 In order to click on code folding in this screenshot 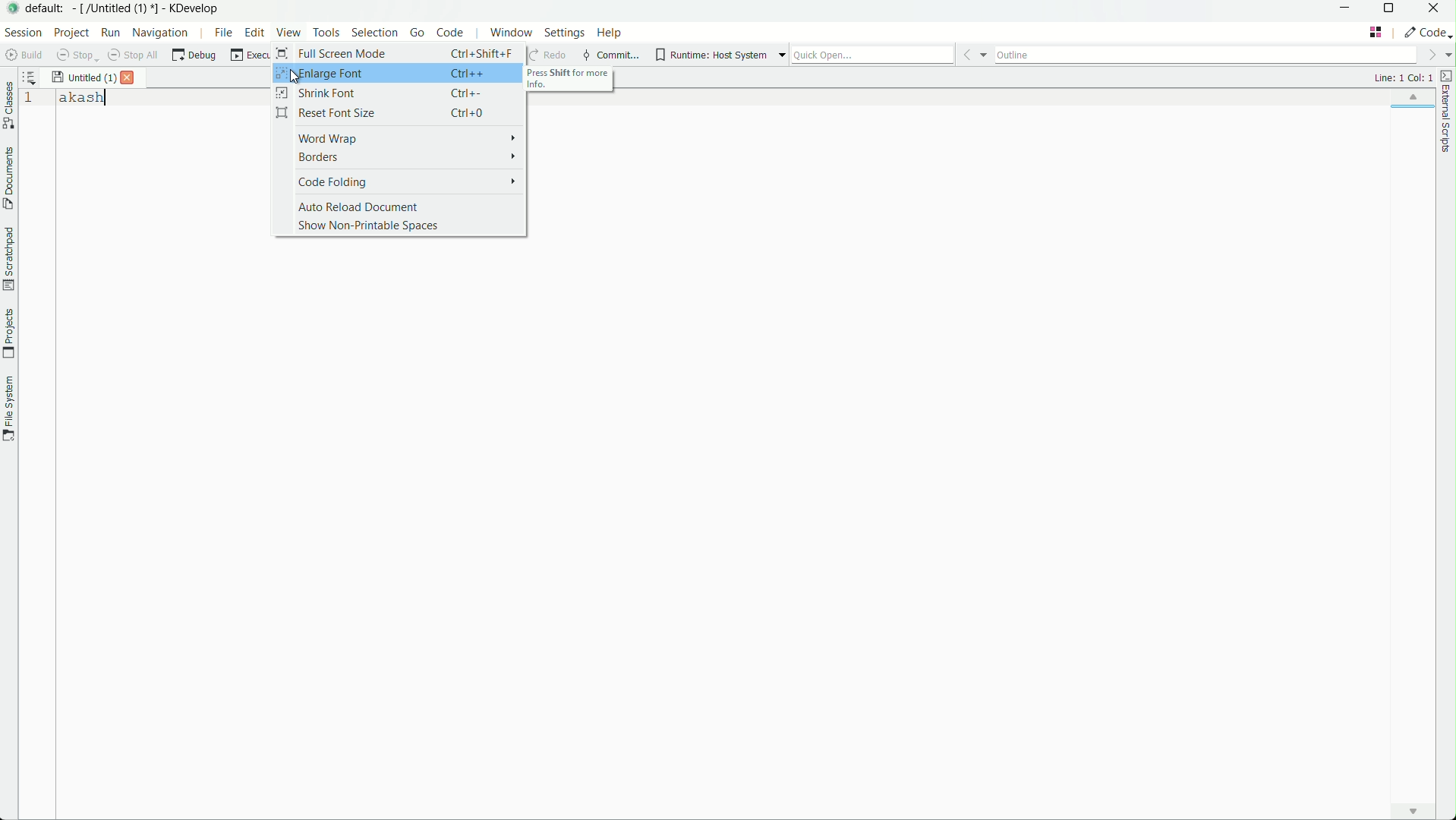, I will do `click(401, 181)`.